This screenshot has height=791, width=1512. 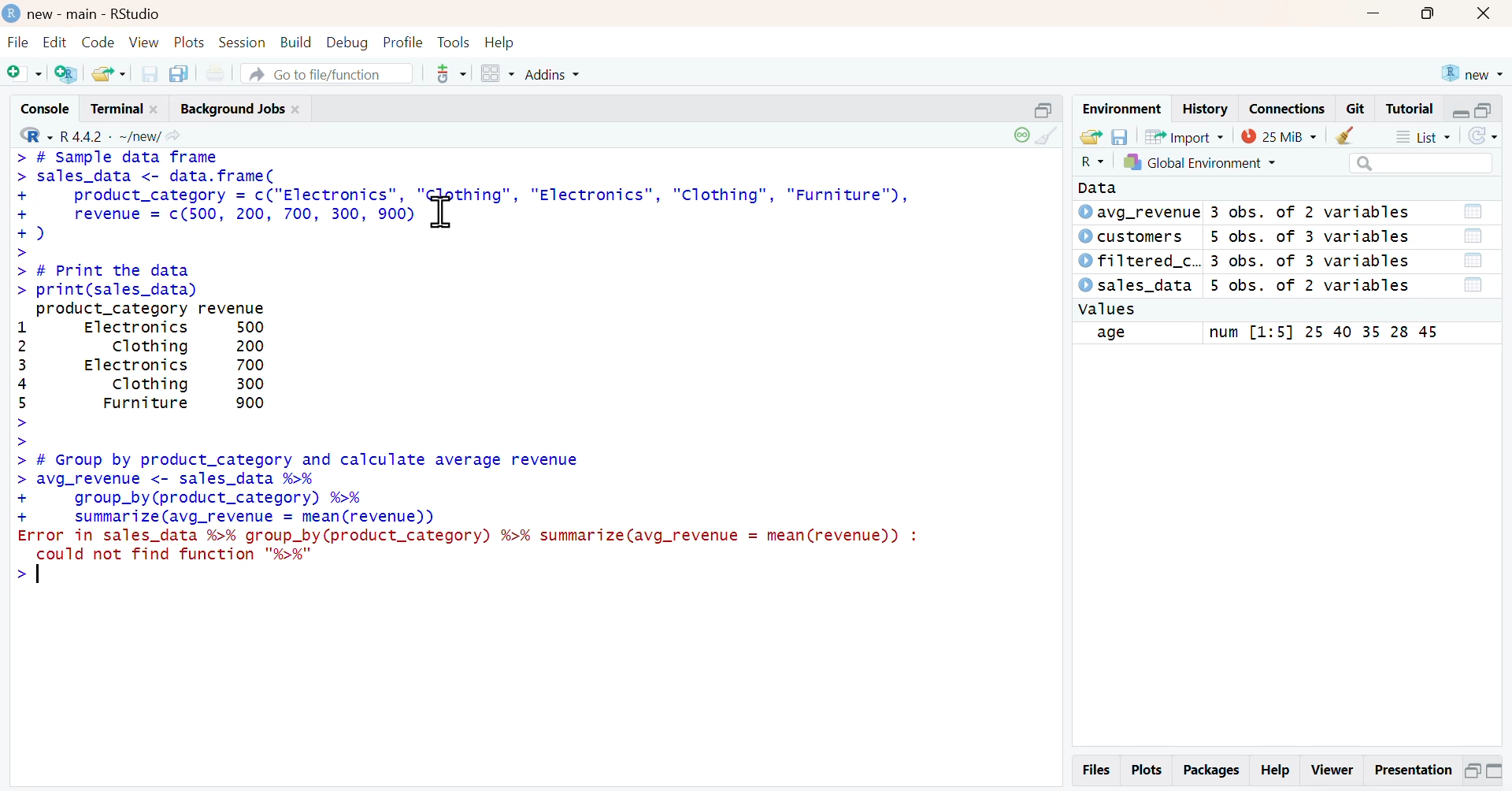 What do you see at coordinates (1485, 111) in the screenshot?
I see `maximize pane` at bounding box center [1485, 111].